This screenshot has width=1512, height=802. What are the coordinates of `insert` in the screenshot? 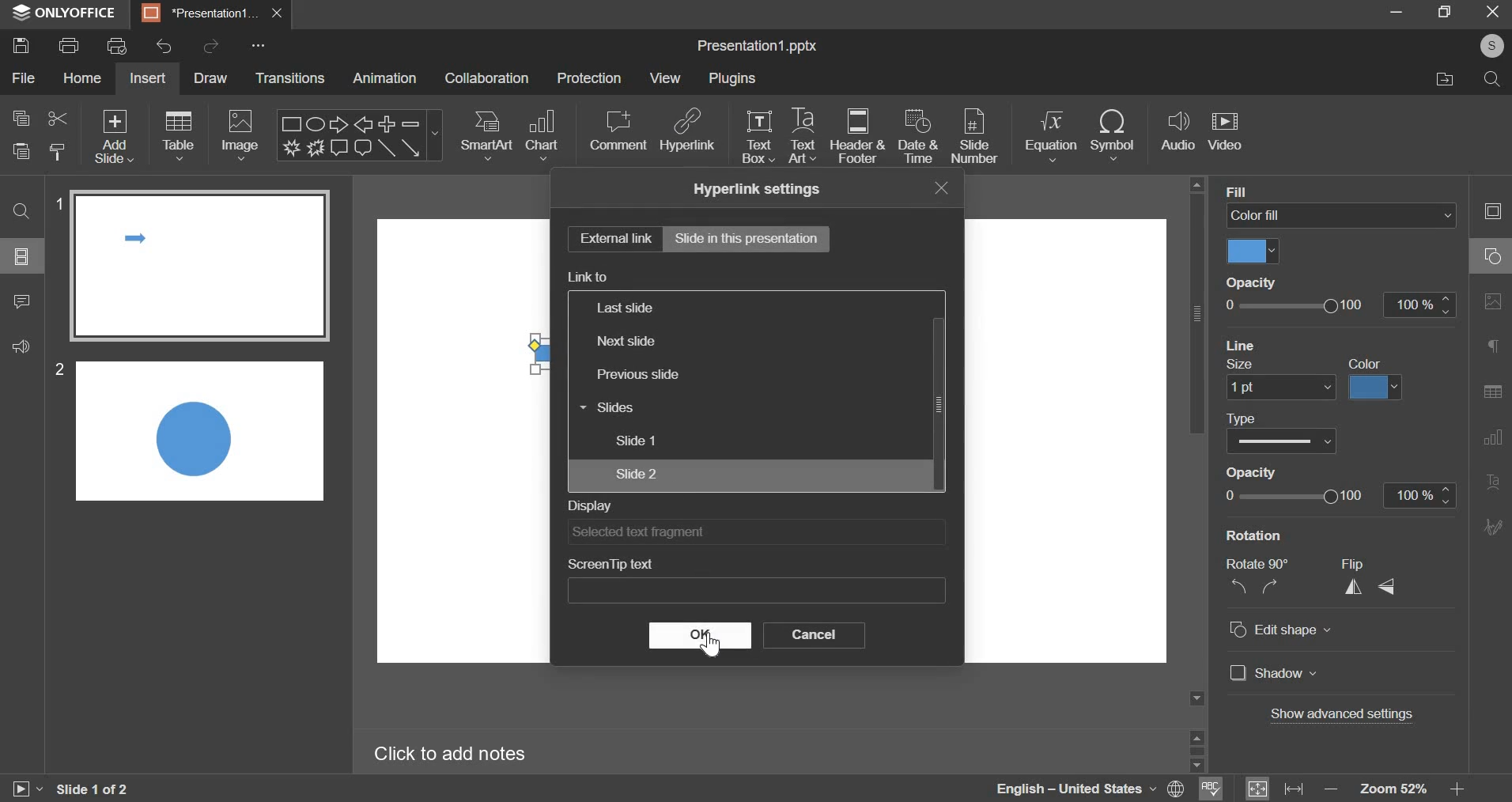 It's located at (146, 79).